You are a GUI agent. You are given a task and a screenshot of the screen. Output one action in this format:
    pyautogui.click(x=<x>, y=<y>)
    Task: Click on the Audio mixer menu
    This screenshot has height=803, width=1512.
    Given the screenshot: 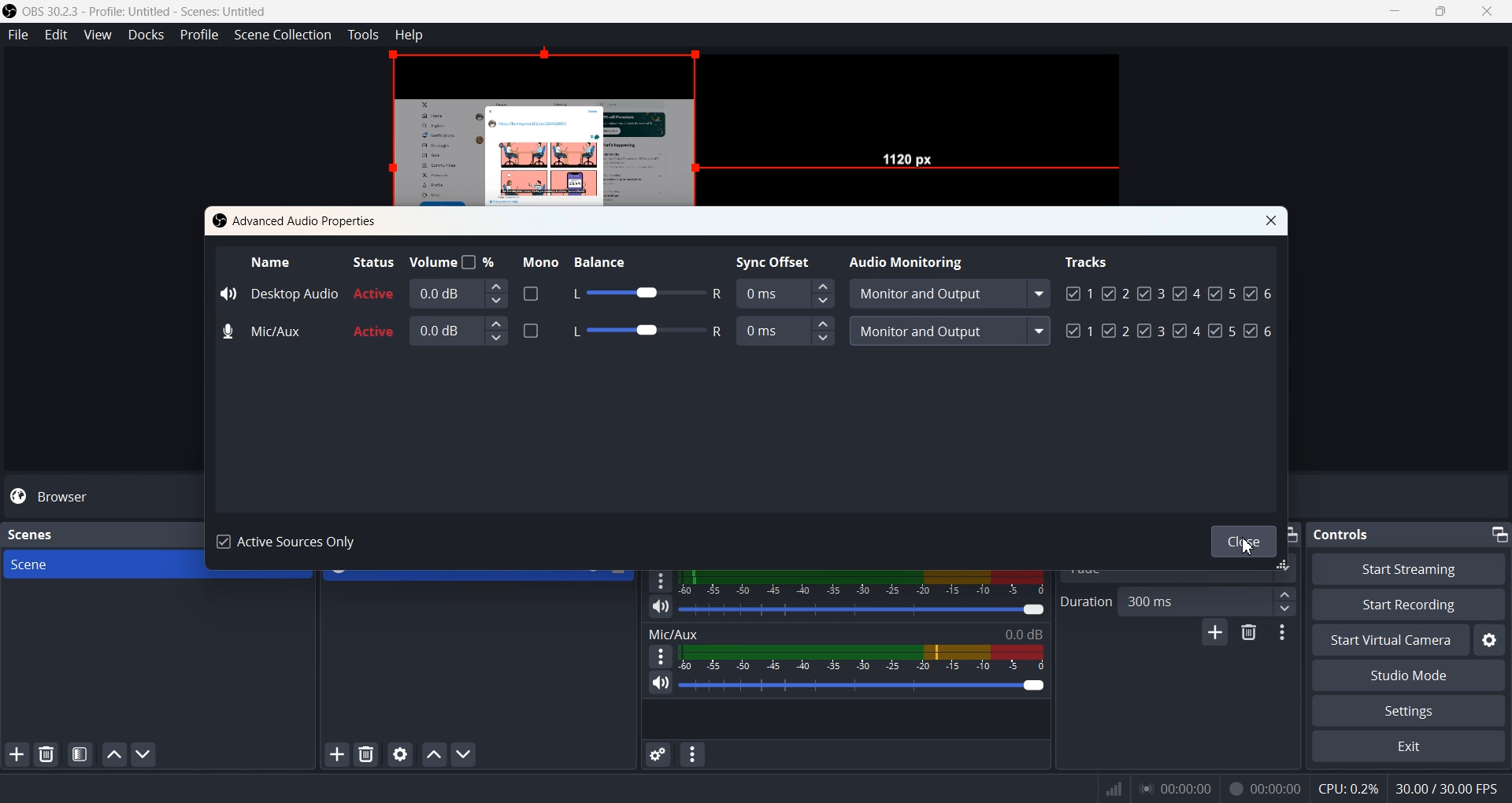 What is the action you would take?
    pyautogui.click(x=694, y=754)
    